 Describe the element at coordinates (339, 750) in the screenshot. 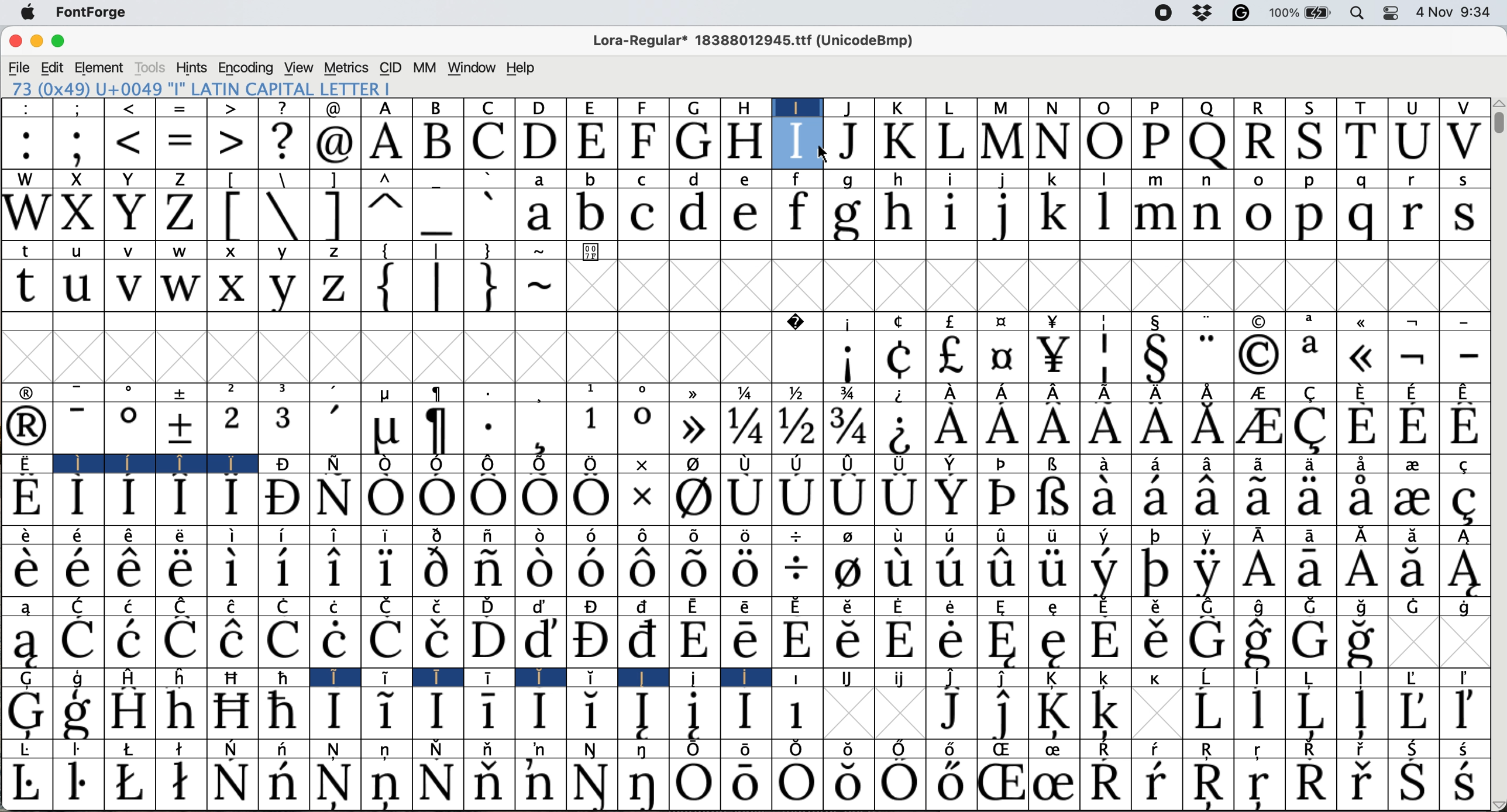

I see `Symbol` at that location.